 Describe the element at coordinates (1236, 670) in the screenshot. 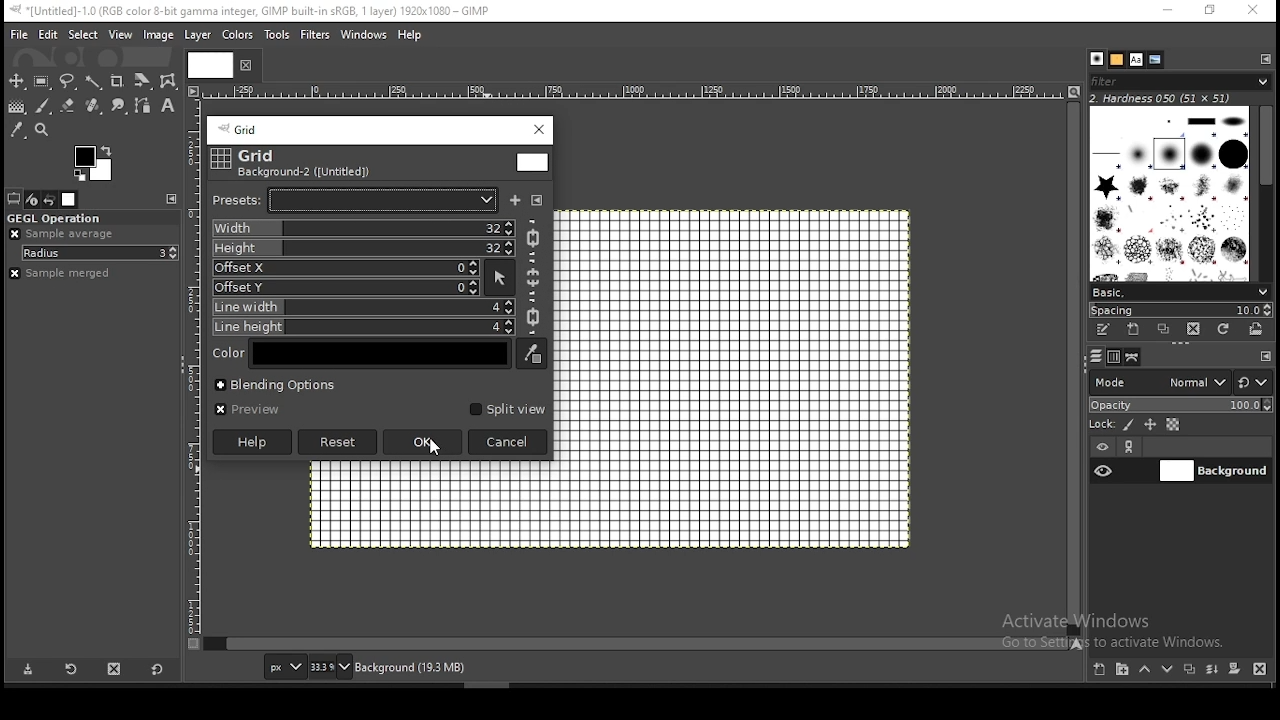

I see `add a mask` at that location.